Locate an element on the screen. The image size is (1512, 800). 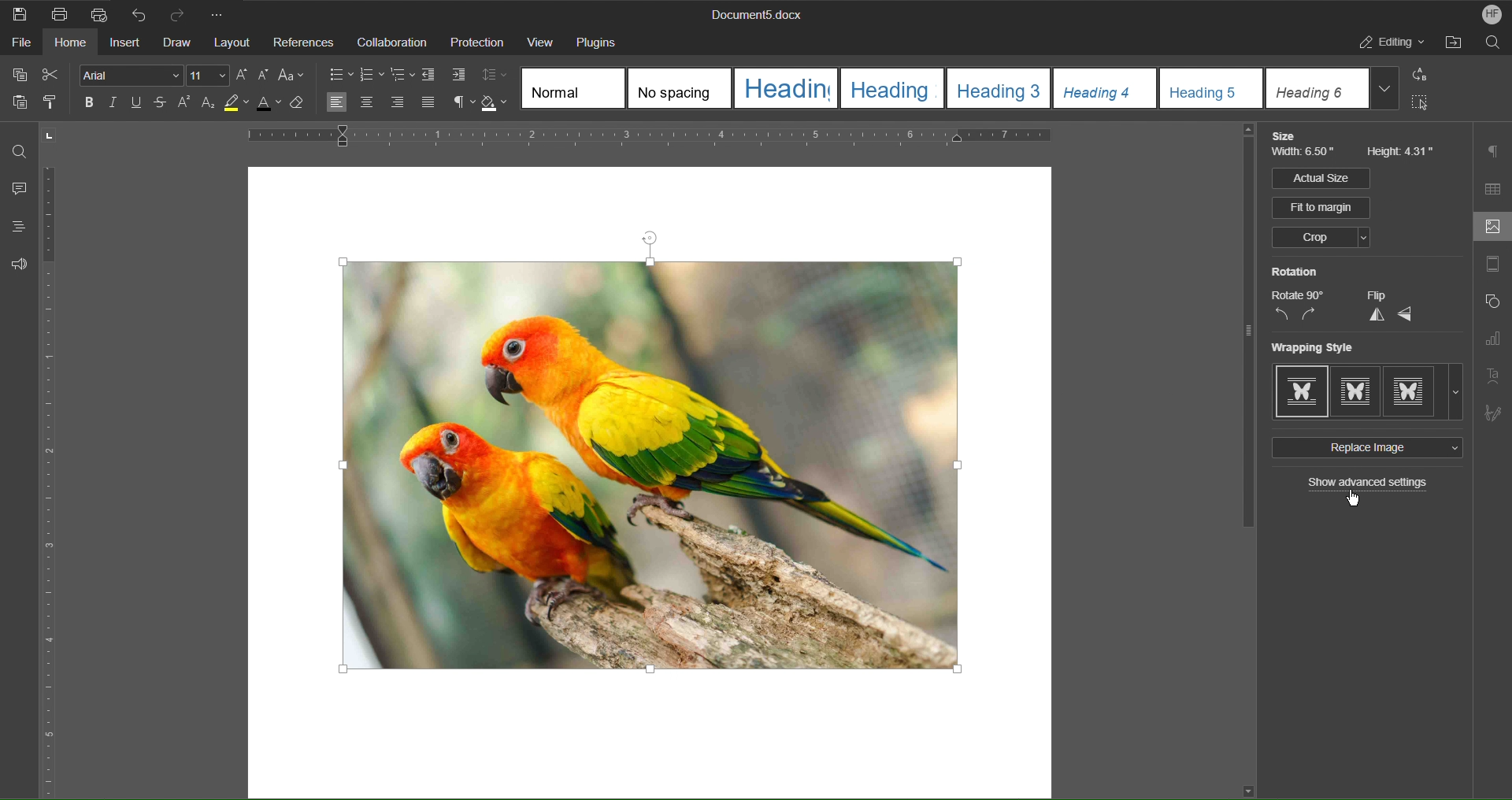
Show advanced settings is located at coordinates (1369, 484).